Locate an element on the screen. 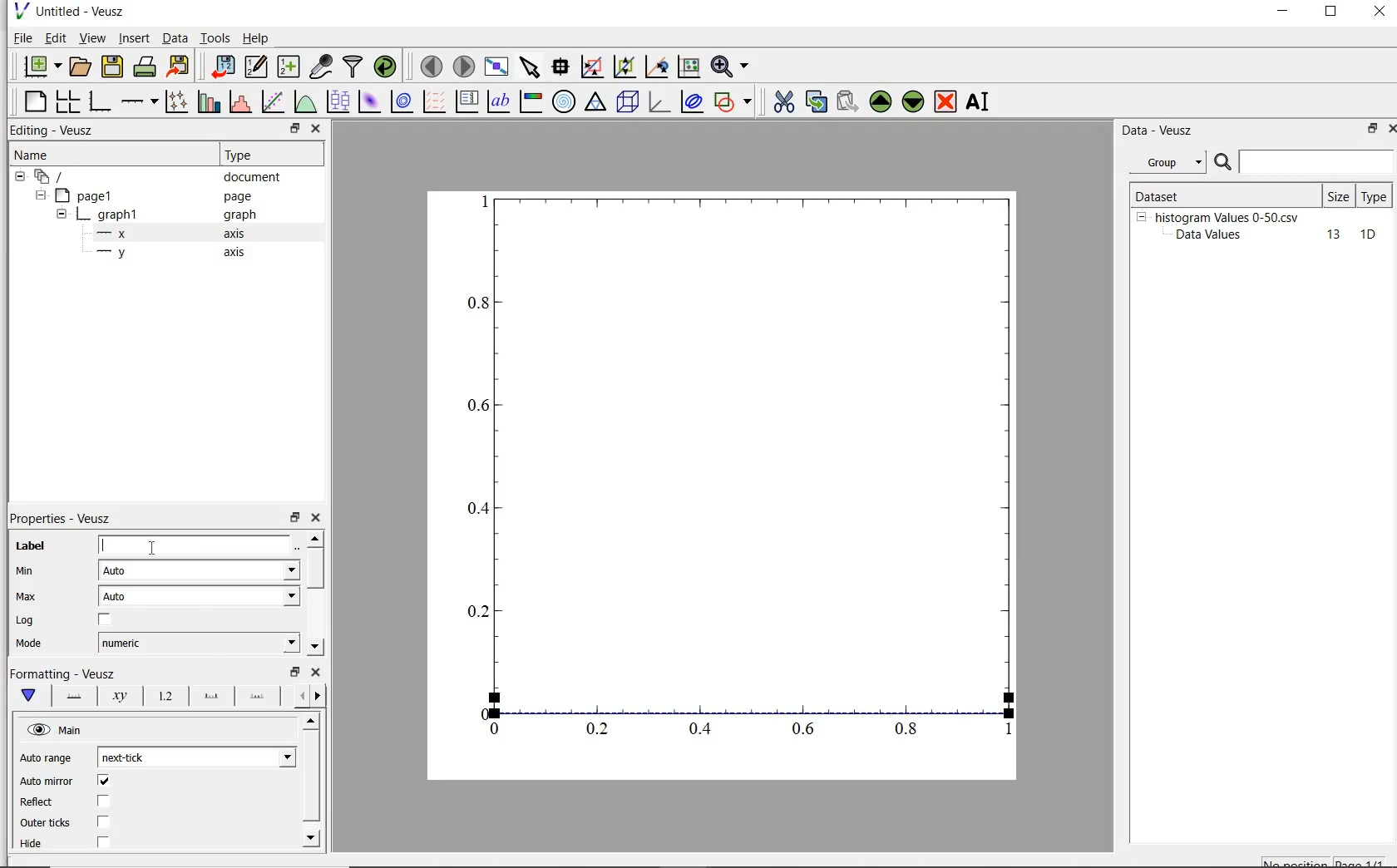  click to recenter graph axes is located at coordinates (688, 67).